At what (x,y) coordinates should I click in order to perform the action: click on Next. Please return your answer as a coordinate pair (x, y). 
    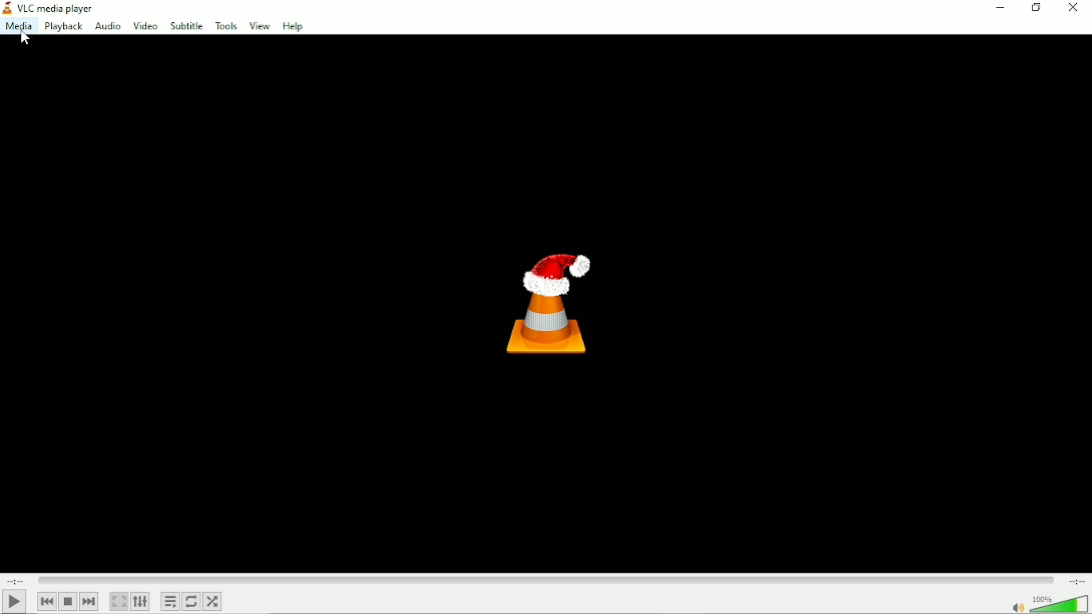
    Looking at the image, I should click on (90, 601).